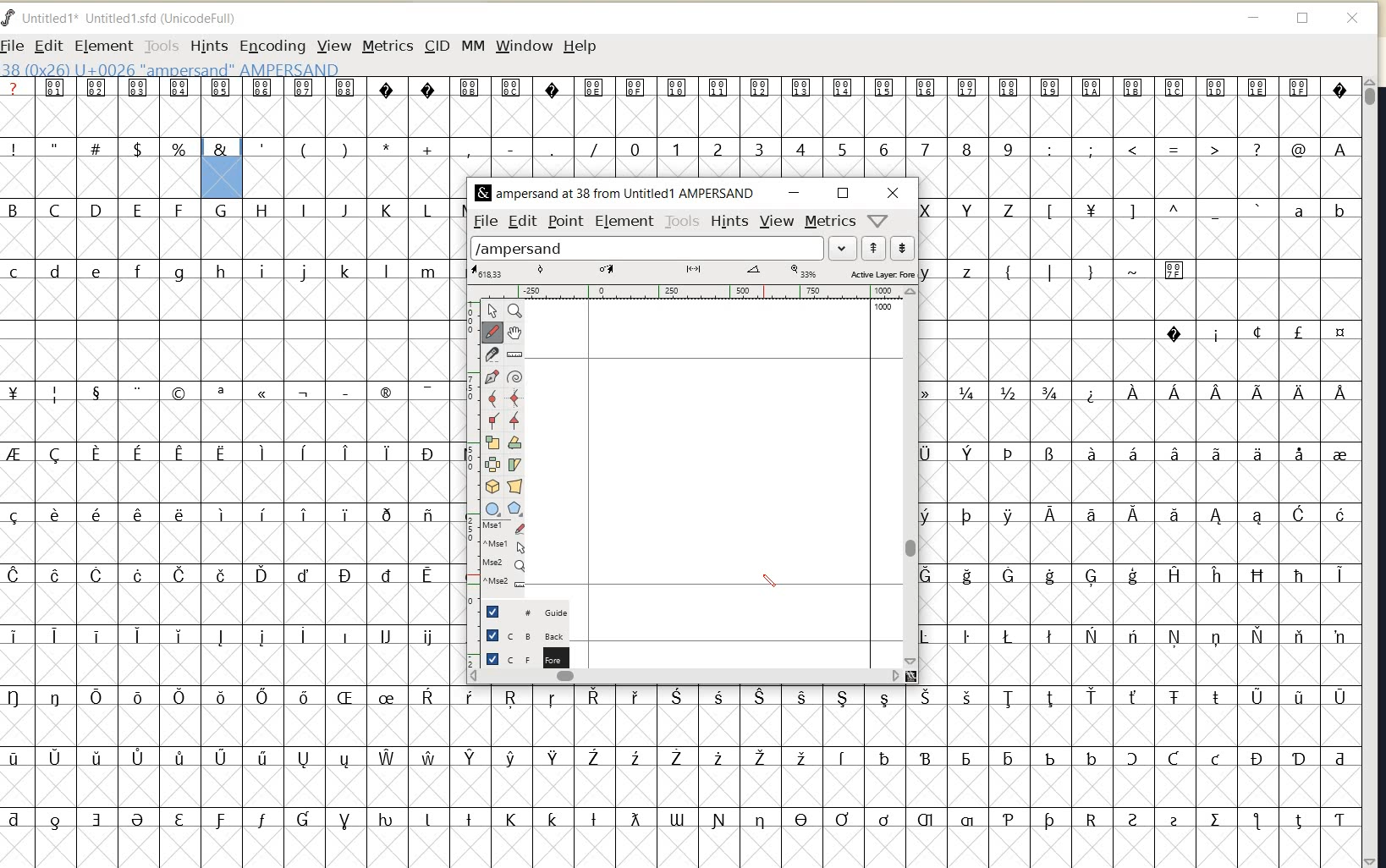  What do you see at coordinates (521, 657) in the screenshot?
I see `FOREGROUND` at bounding box center [521, 657].